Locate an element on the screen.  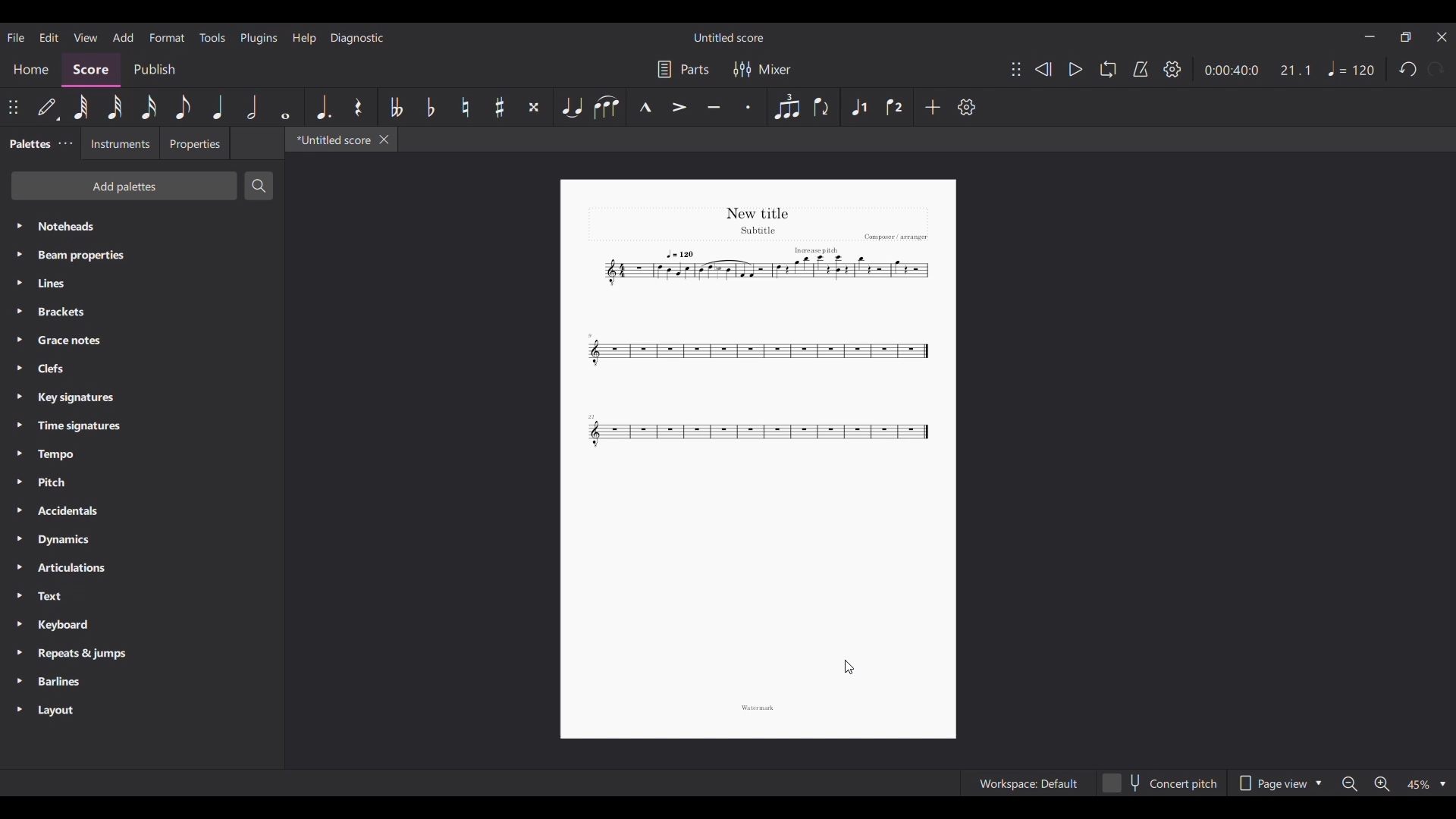
Instruments is located at coordinates (120, 143).